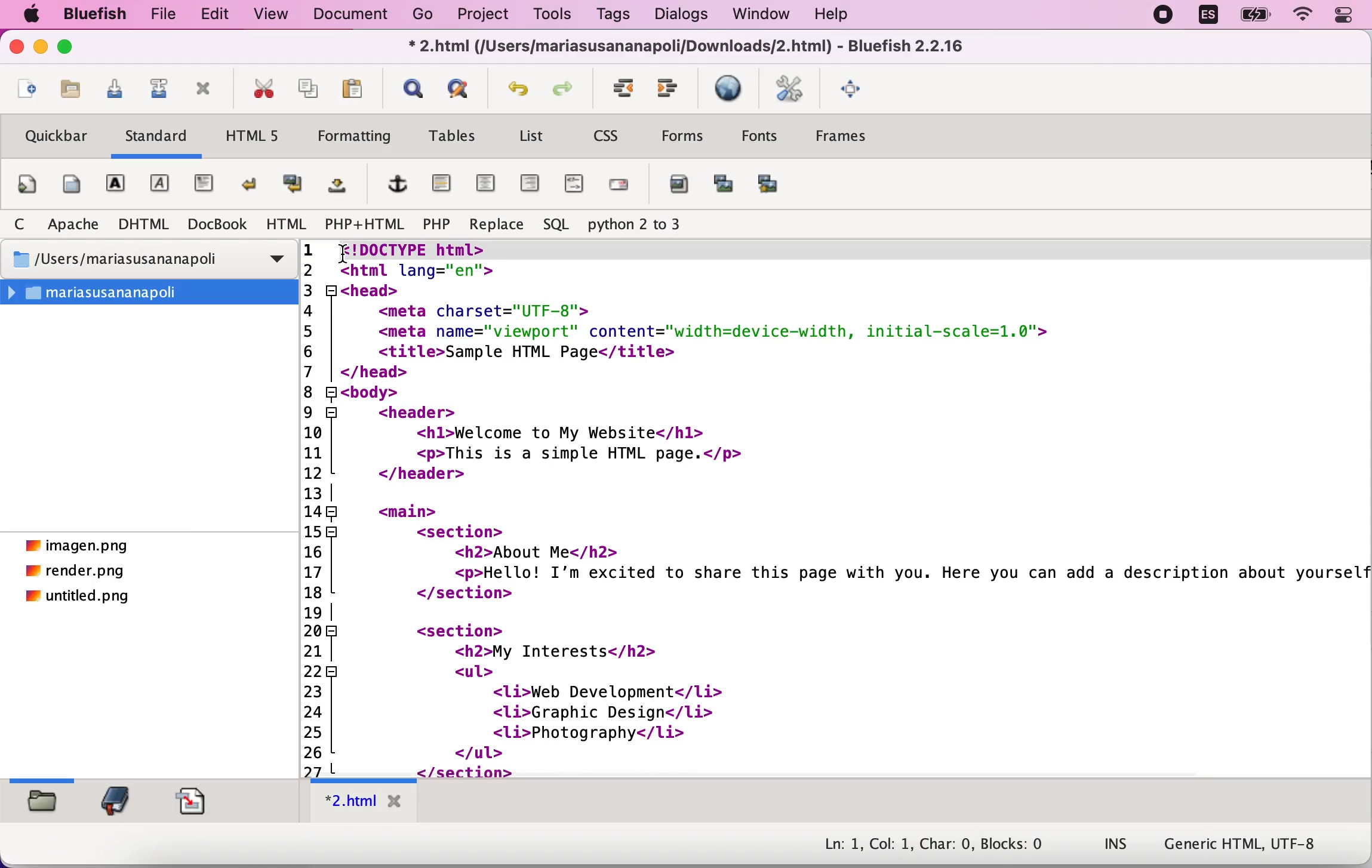 The width and height of the screenshot is (1372, 868). What do you see at coordinates (450, 138) in the screenshot?
I see `tables` at bounding box center [450, 138].